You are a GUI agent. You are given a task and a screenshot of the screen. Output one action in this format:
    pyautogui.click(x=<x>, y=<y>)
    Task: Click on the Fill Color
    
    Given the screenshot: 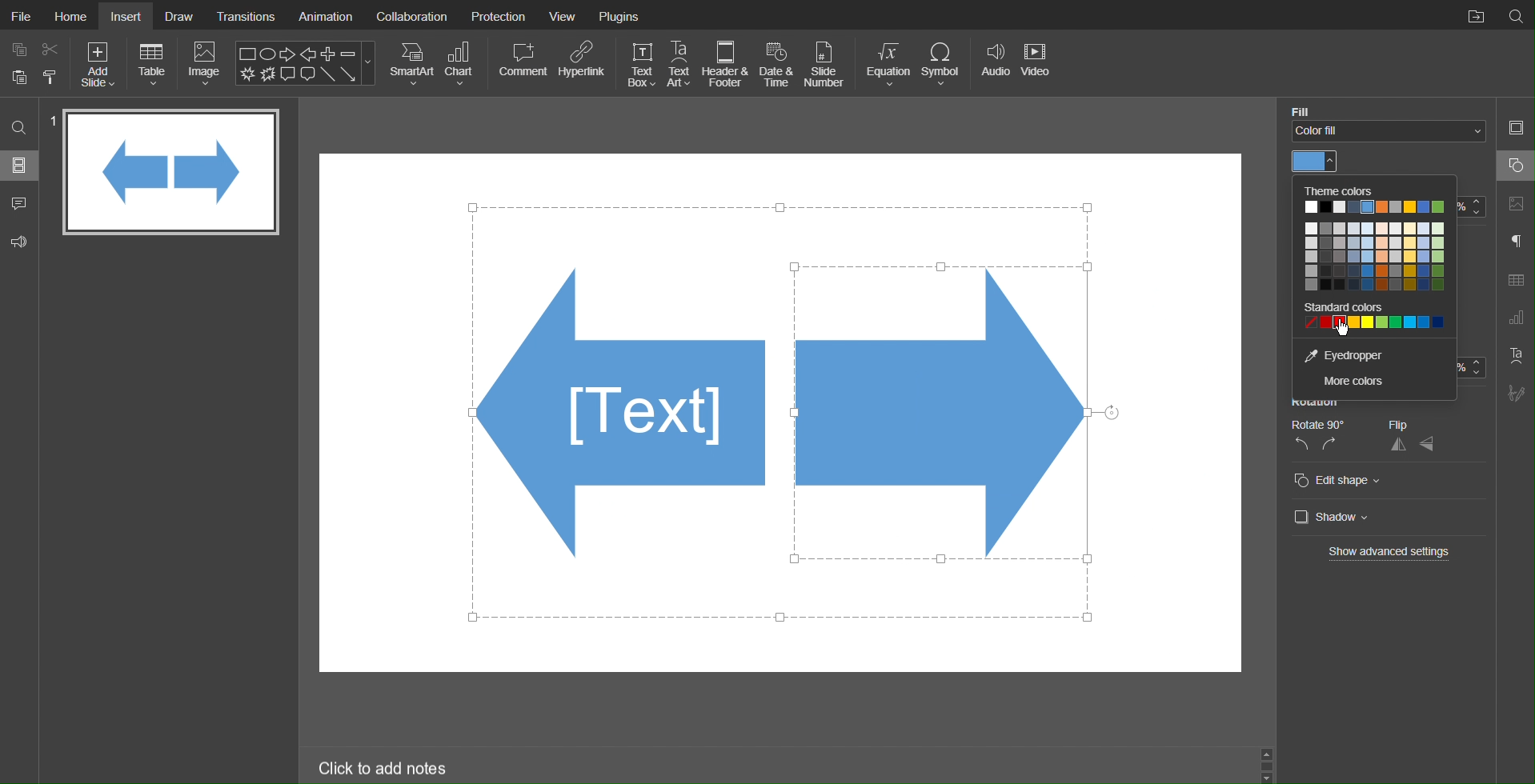 What is the action you would take?
    pyautogui.click(x=1387, y=132)
    